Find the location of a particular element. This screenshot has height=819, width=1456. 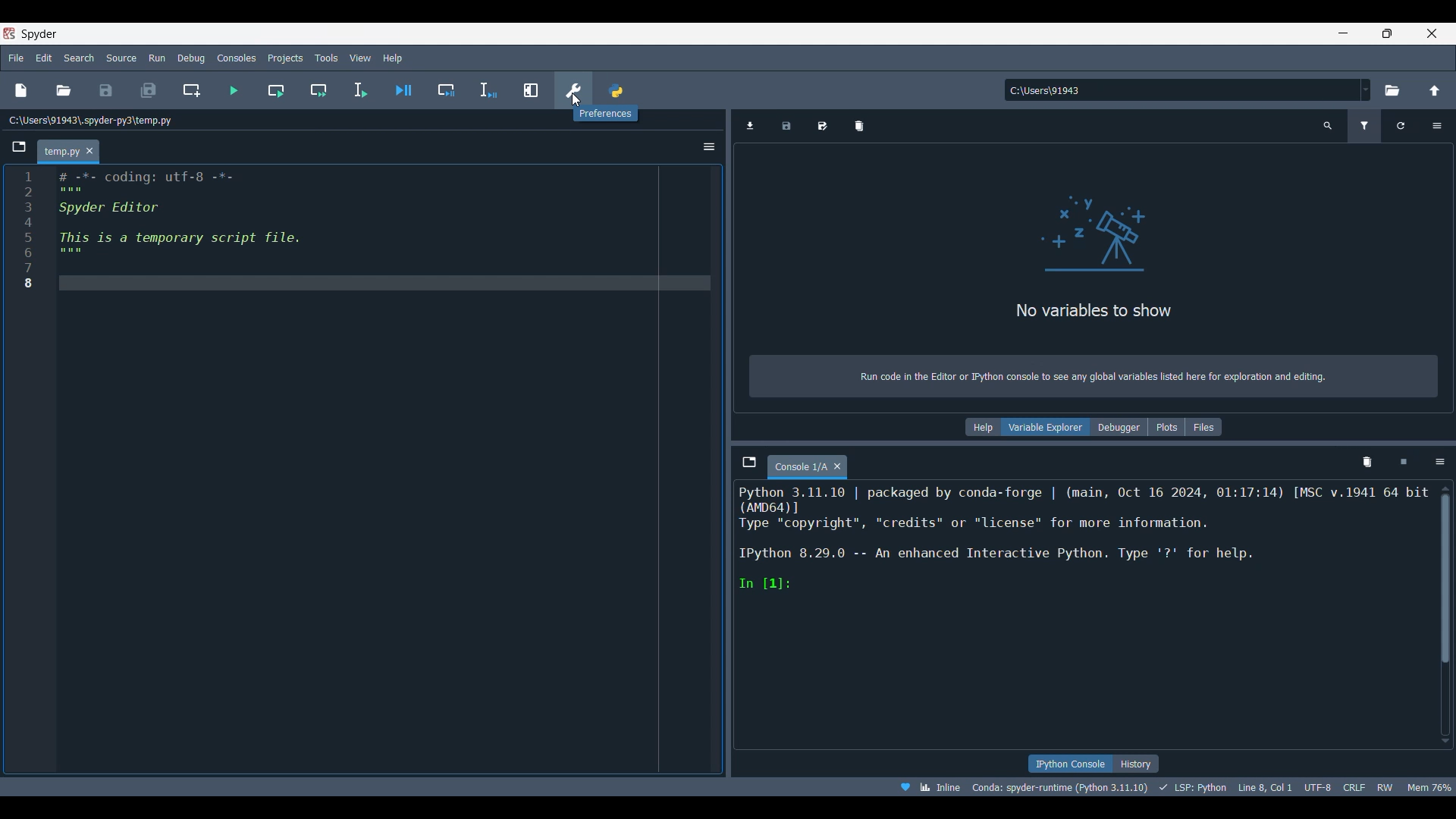

Help menu is located at coordinates (393, 58).